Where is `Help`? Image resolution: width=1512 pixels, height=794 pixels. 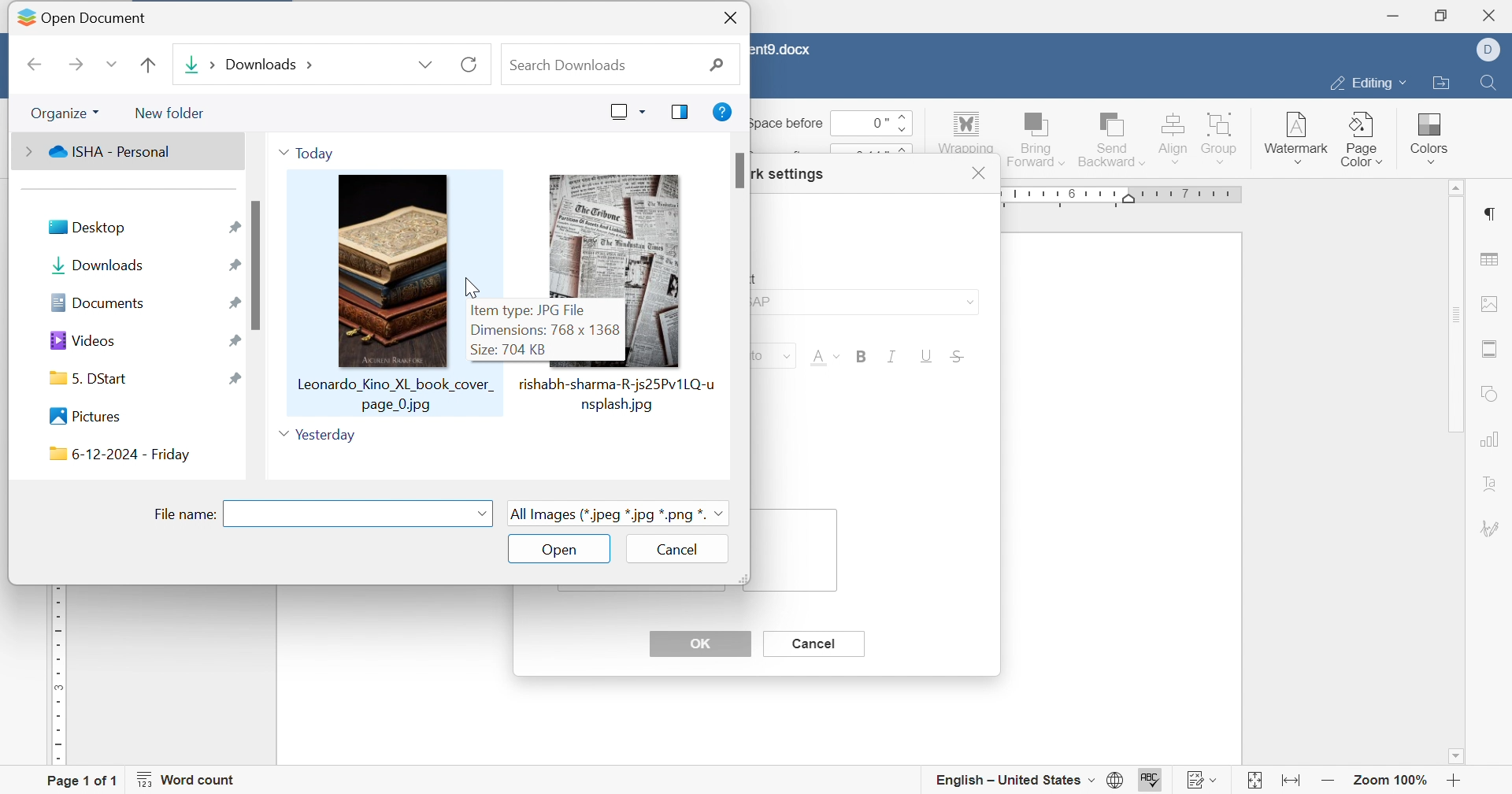
Help is located at coordinates (722, 109).